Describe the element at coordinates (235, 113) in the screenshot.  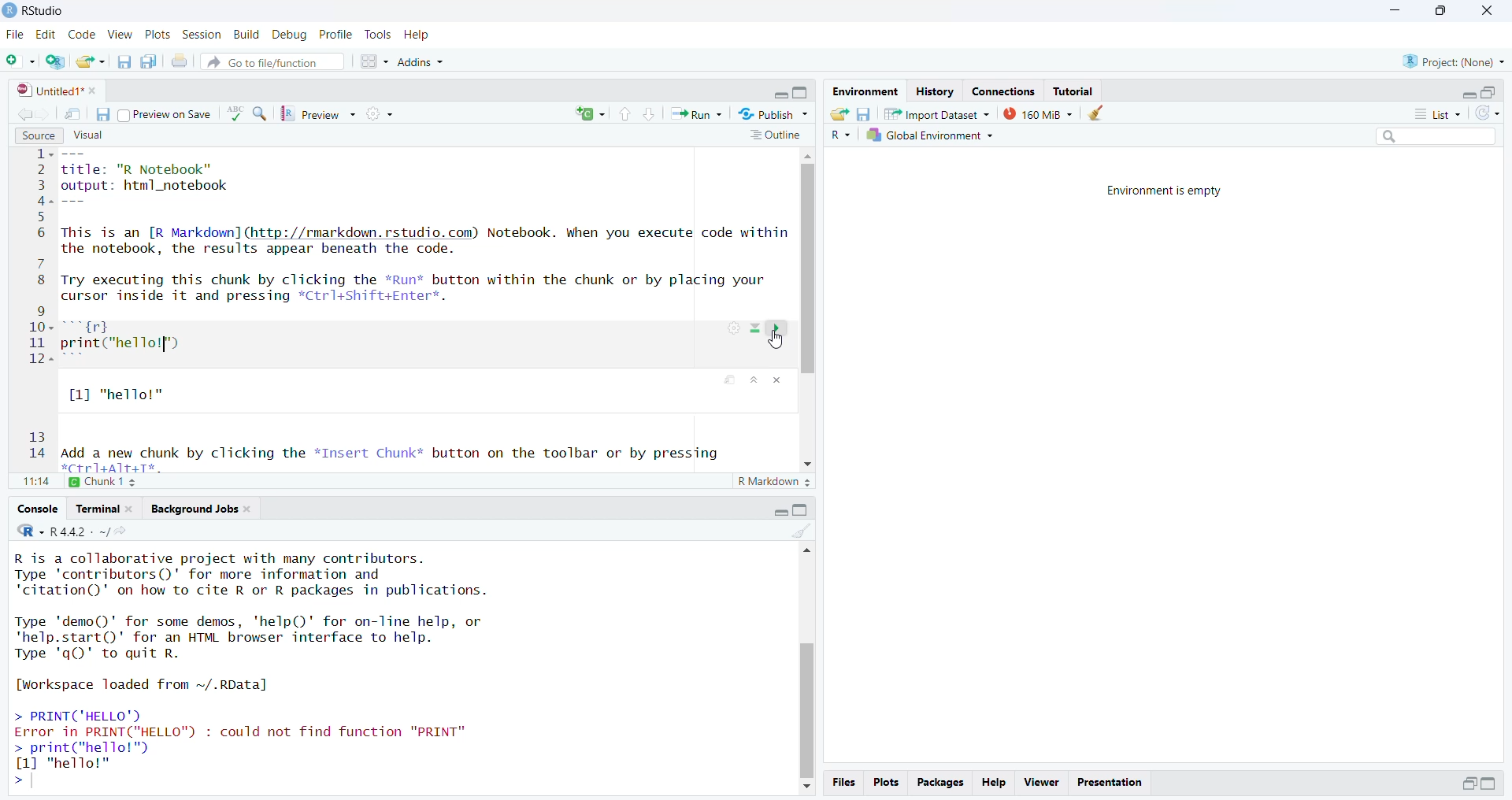
I see `language` at that location.